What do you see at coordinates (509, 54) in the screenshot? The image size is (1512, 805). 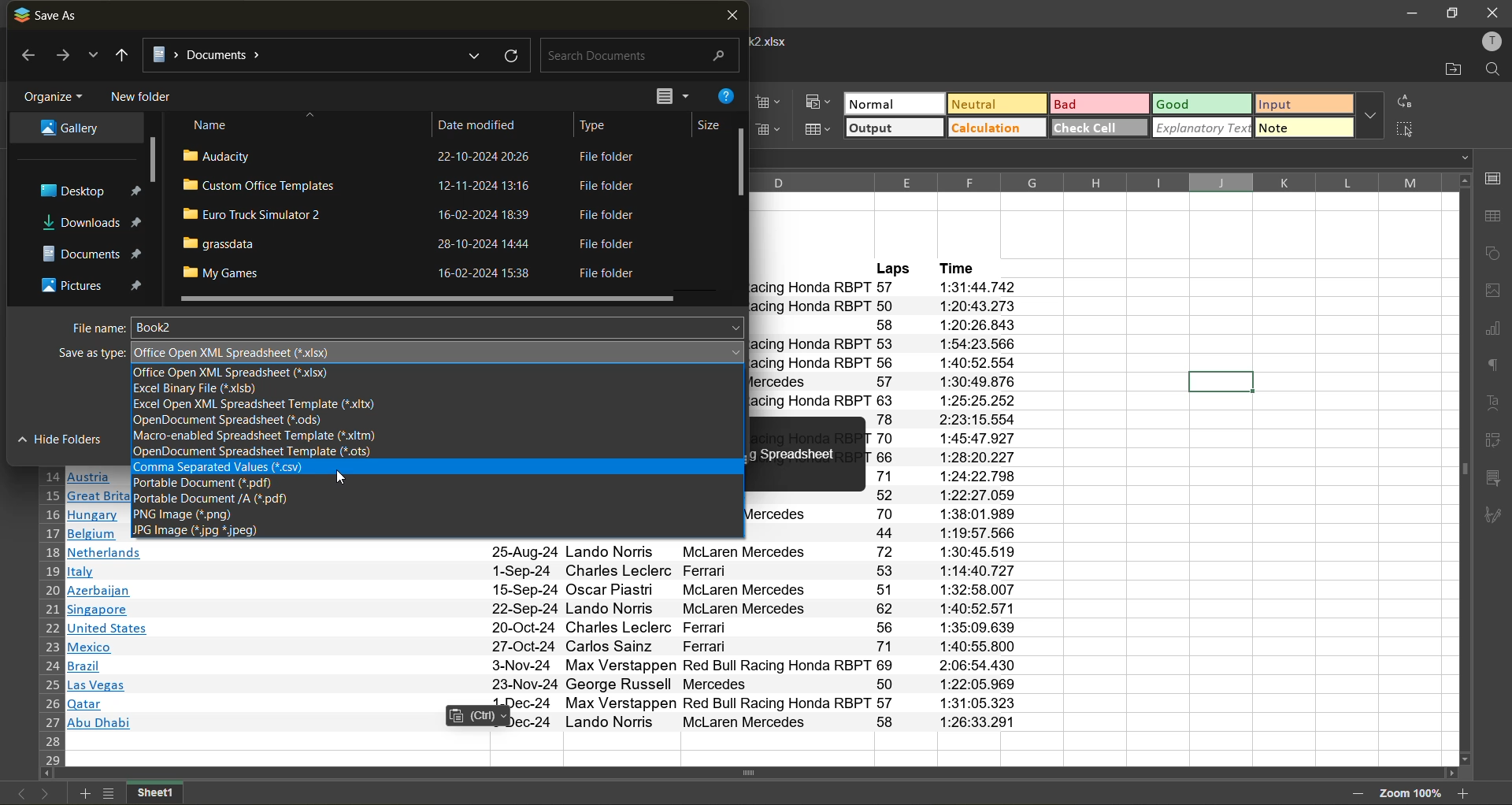 I see `refresh` at bounding box center [509, 54].